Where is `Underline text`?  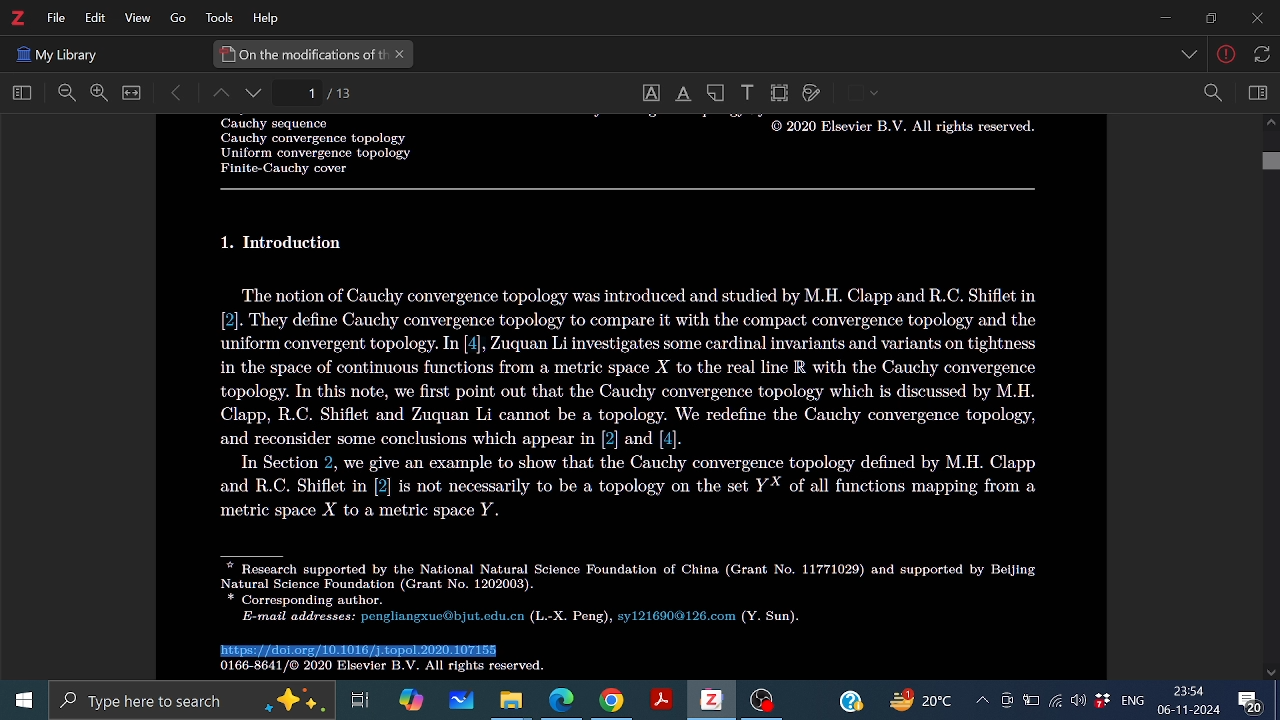 Underline text is located at coordinates (682, 94).